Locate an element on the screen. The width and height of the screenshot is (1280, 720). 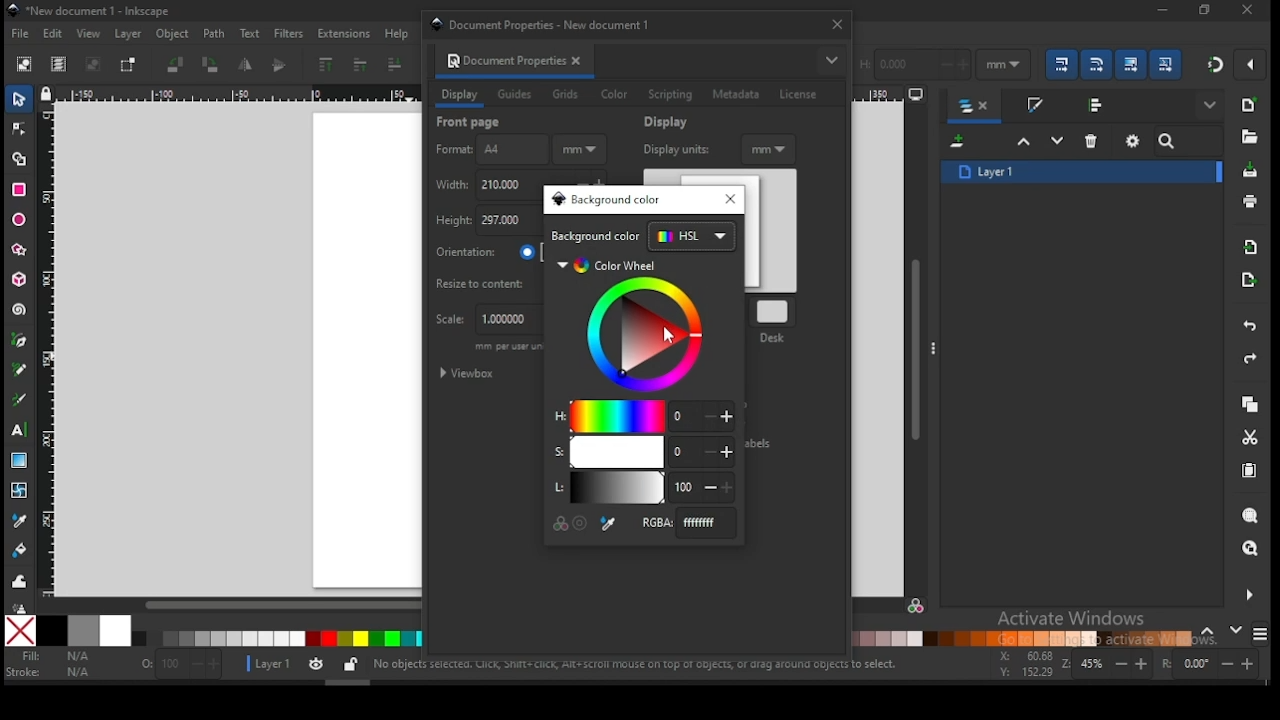
mm per user unit is located at coordinates (507, 349).